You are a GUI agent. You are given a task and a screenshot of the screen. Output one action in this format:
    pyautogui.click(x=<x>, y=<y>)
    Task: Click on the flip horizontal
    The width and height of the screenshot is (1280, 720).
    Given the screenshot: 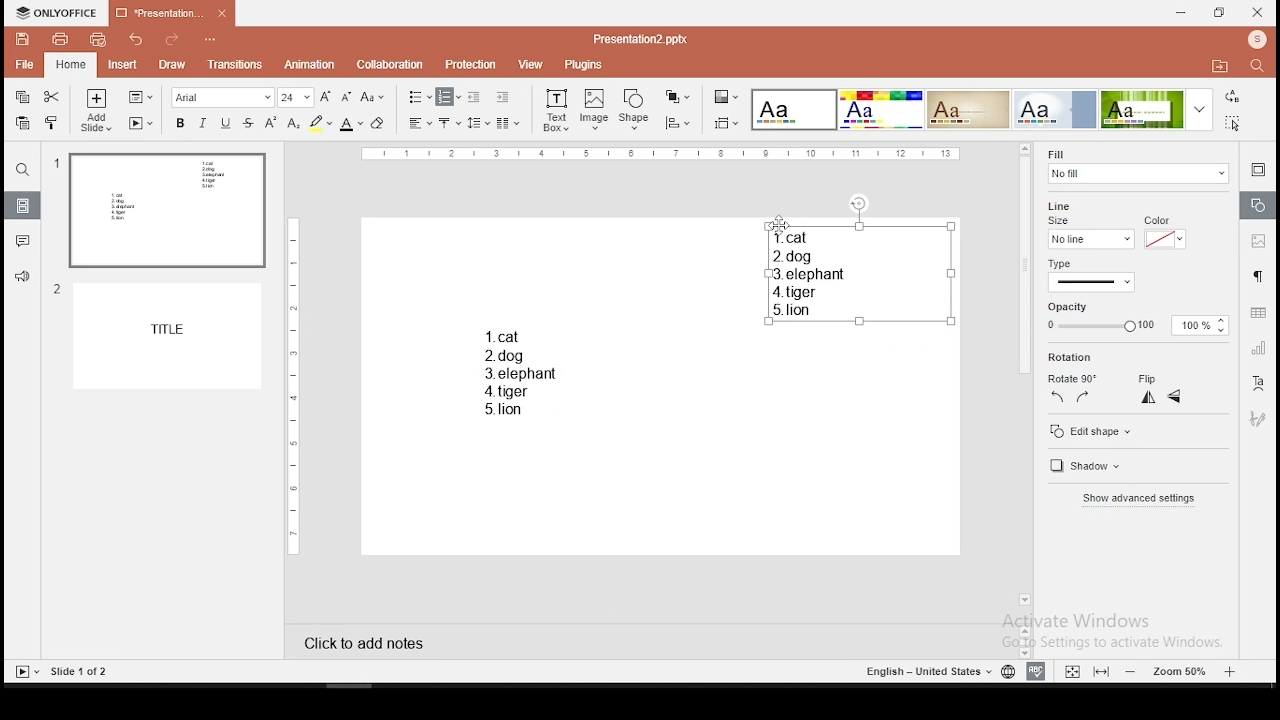 What is the action you would take?
    pyautogui.click(x=1175, y=397)
    